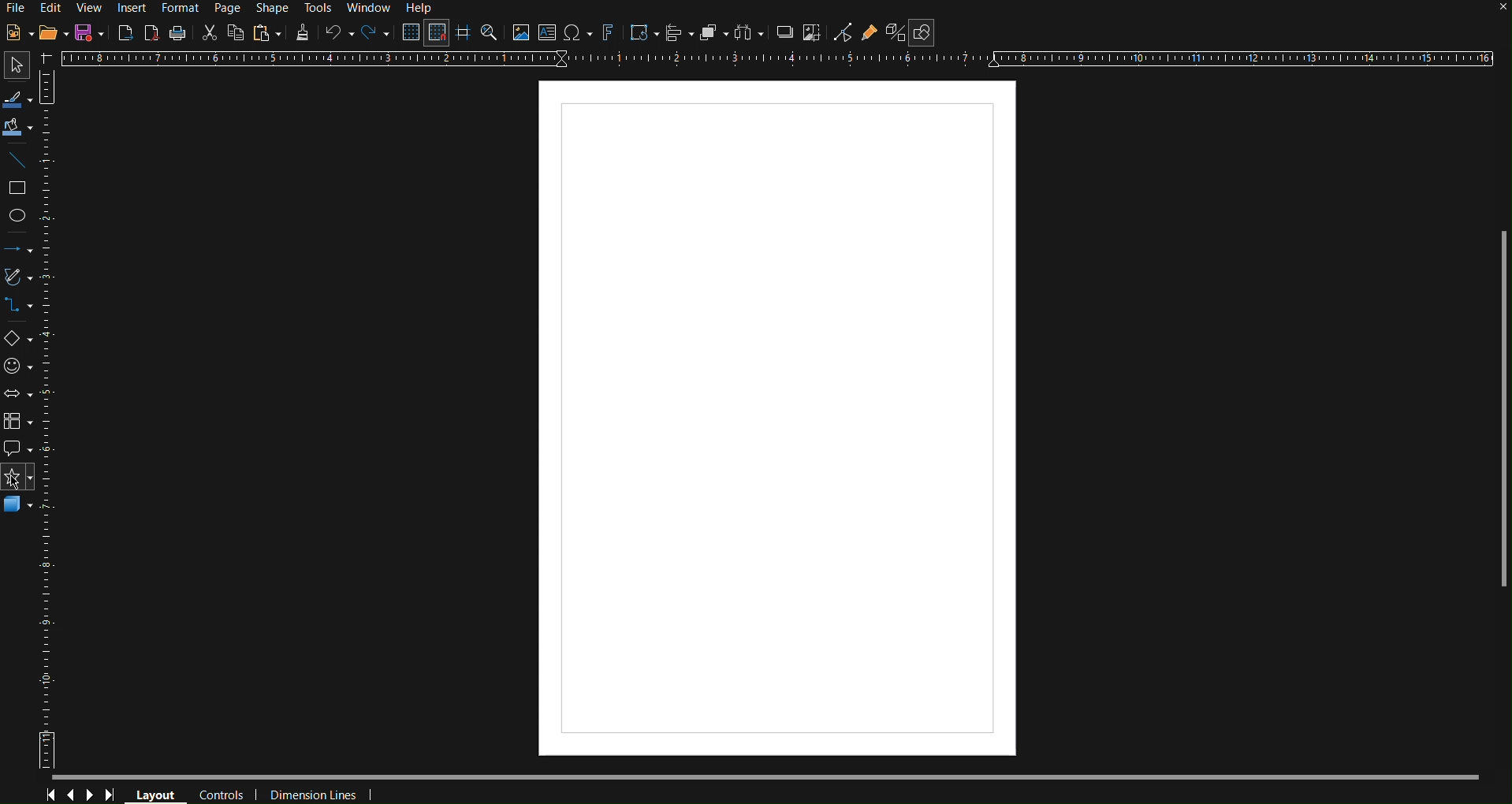 Image resolution: width=1512 pixels, height=804 pixels. What do you see at coordinates (642, 34) in the screenshot?
I see `Transformations` at bounding box center [642, 34].